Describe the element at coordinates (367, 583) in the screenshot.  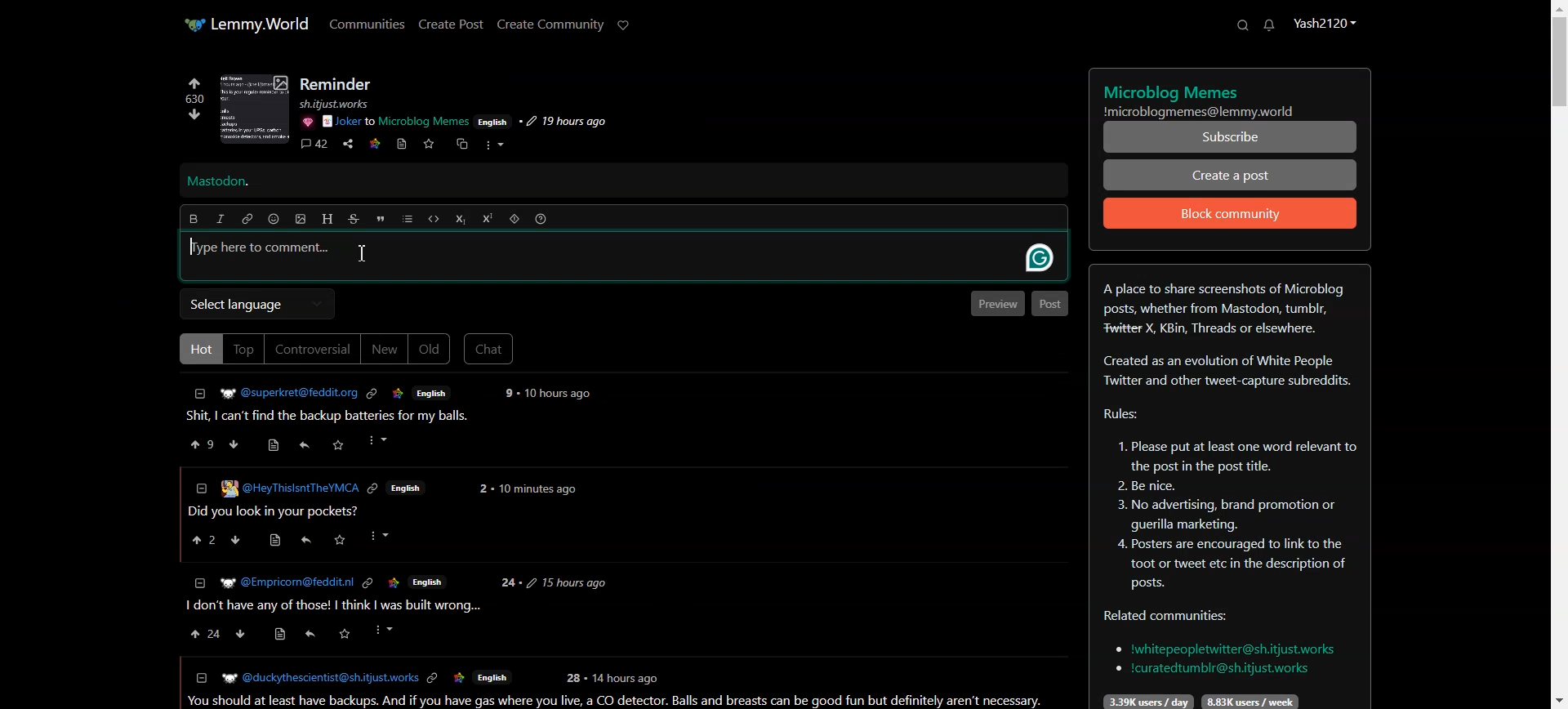
I see `` at that location.